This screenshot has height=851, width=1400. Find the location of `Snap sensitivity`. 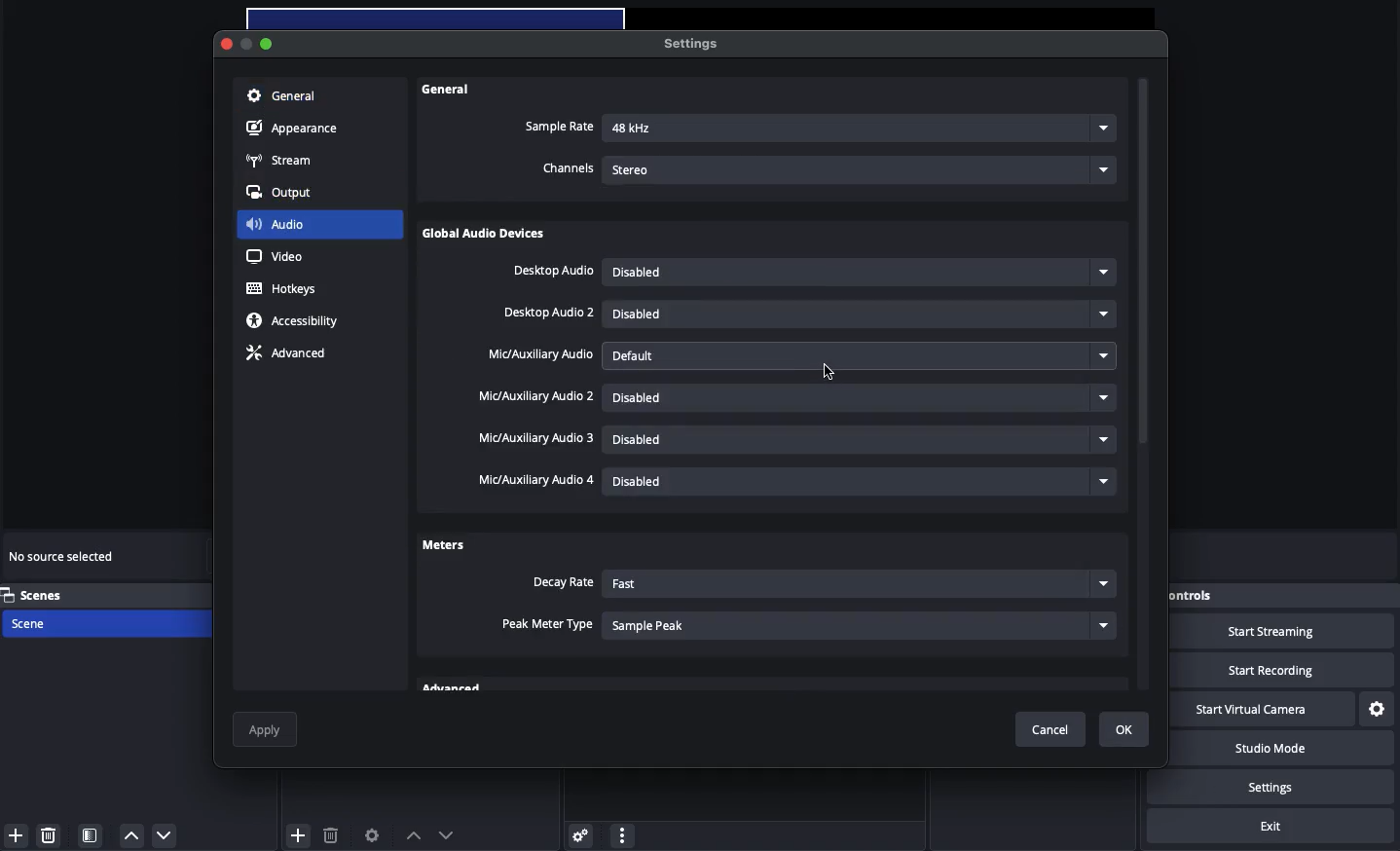

Snap sensitivity is located at coordinates (548, 625).